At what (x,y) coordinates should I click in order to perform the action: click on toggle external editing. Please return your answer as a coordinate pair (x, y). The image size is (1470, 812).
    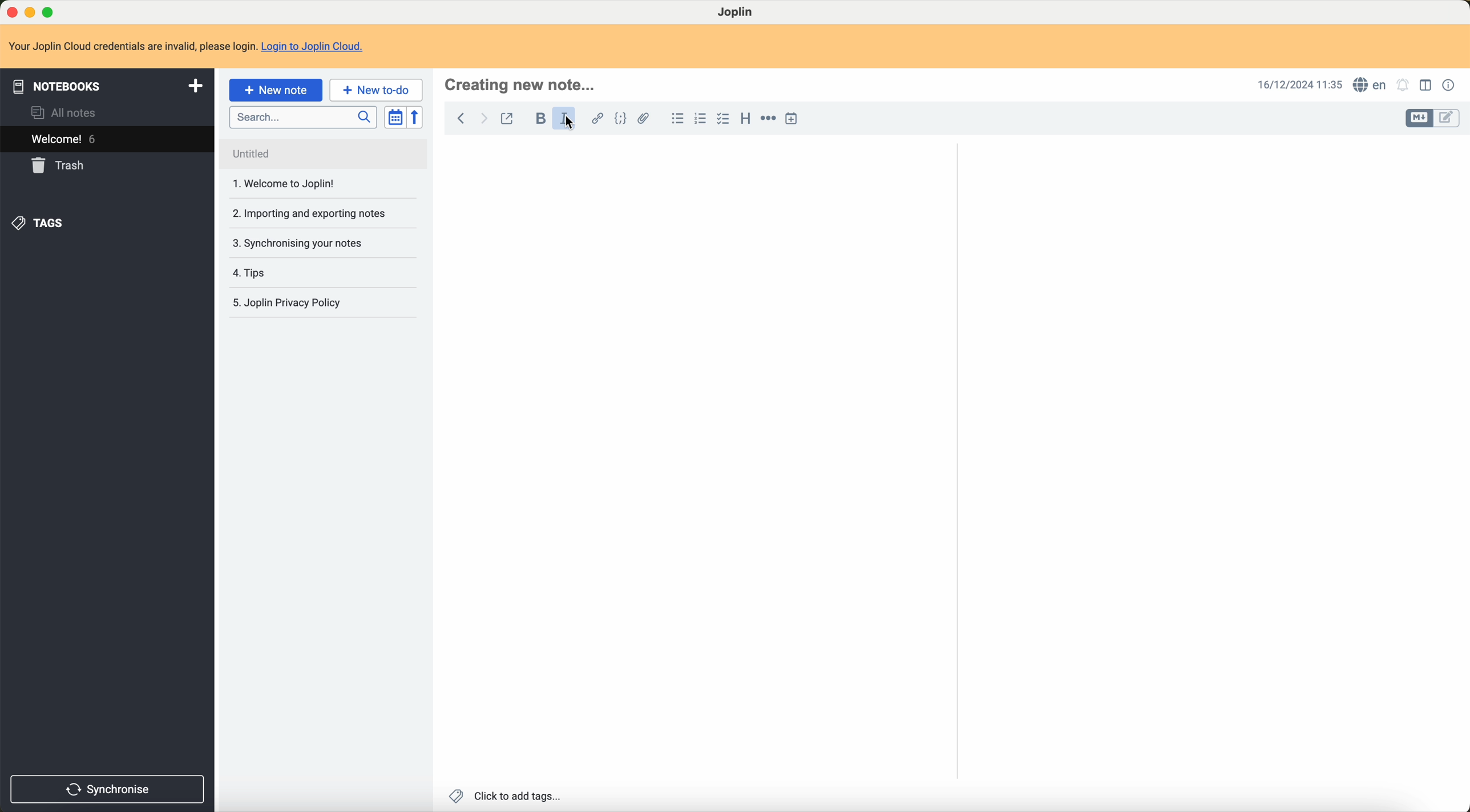
    Looking at the image, I should click on (511, 119).